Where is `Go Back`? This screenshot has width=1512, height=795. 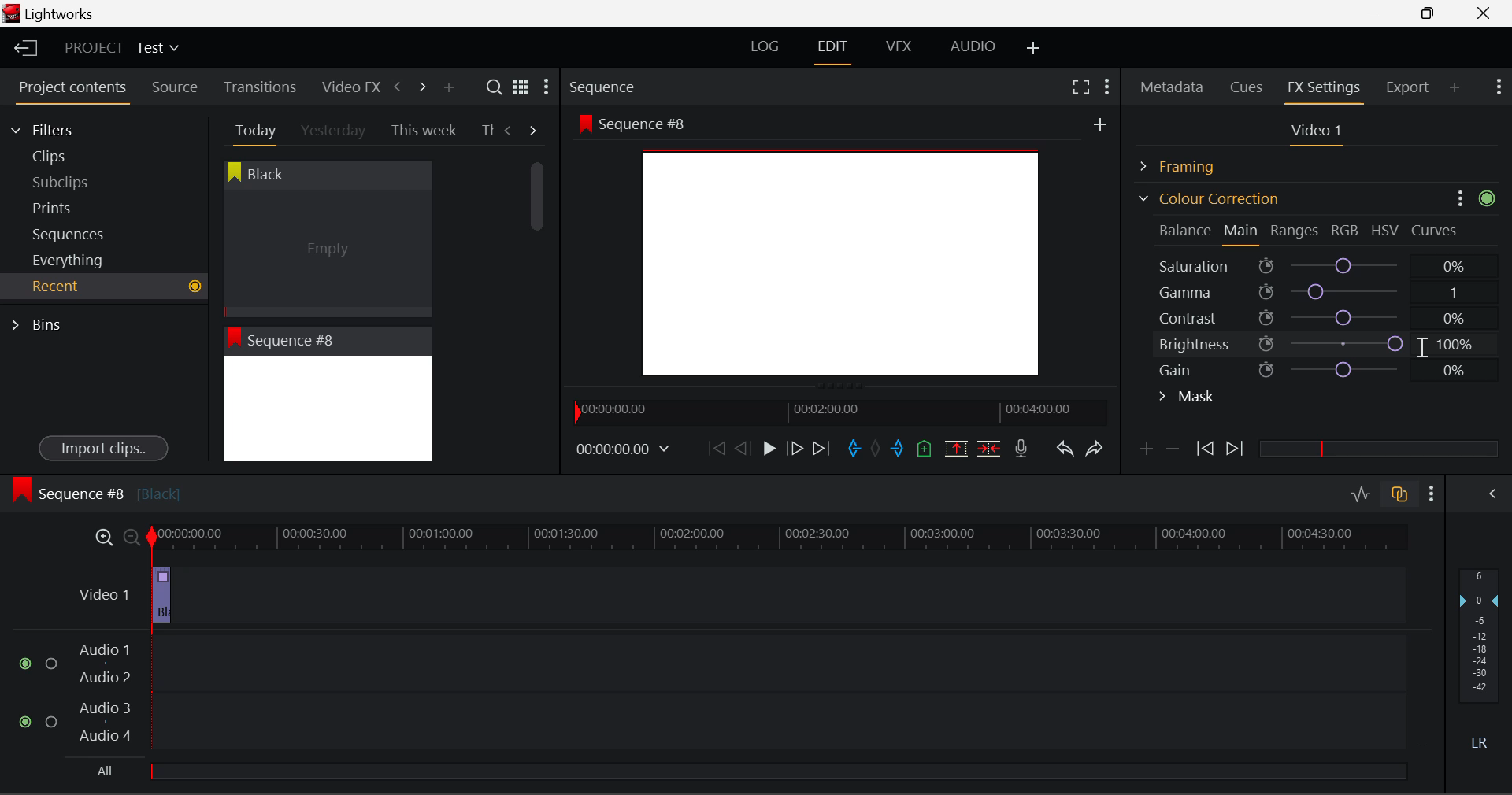 Go Back is located at coordinates (745, 447).